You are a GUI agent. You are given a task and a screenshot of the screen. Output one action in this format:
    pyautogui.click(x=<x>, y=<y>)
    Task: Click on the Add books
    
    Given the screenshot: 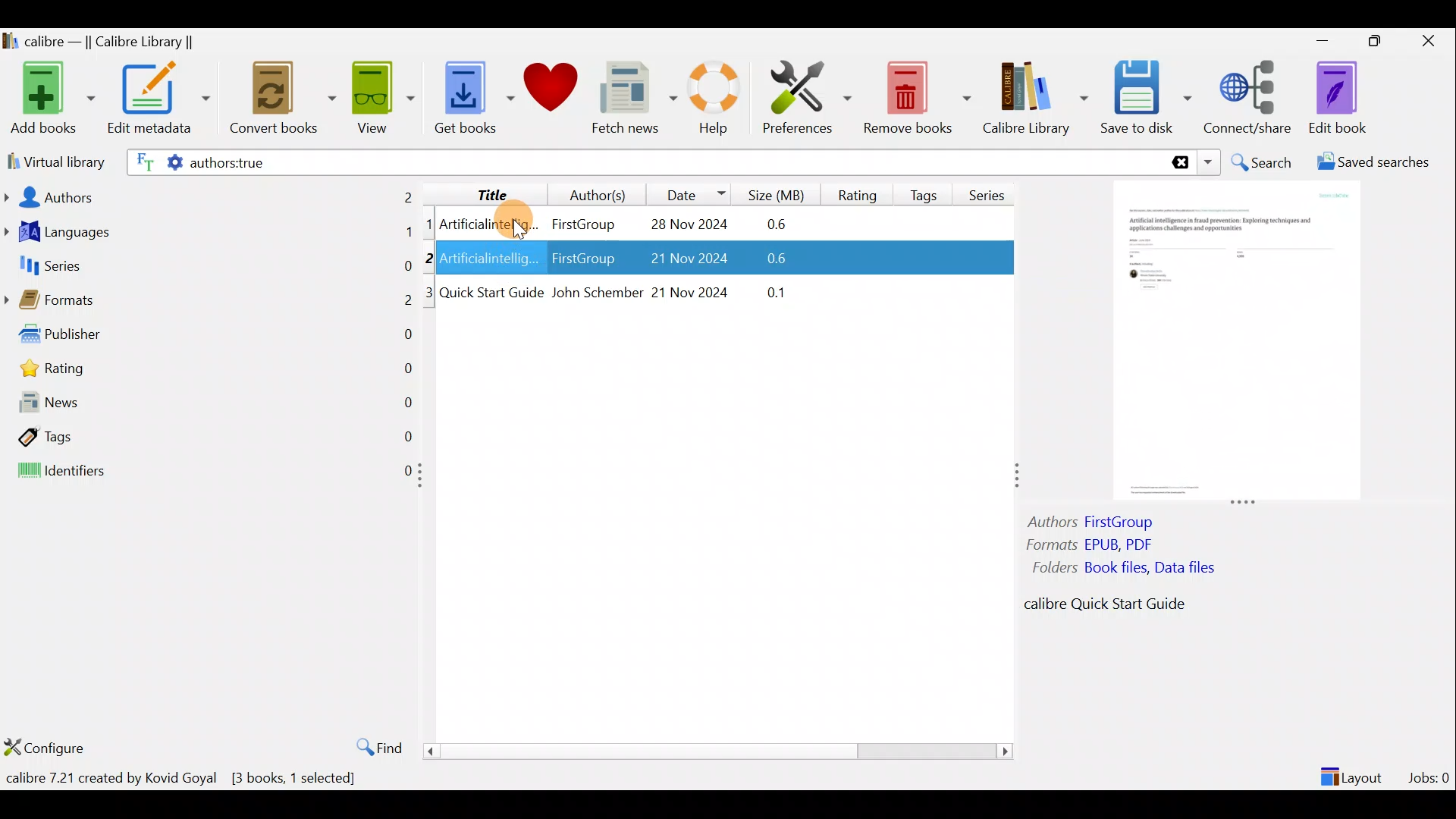 What is the action you would take?
    pyautogui.click(x=50, y=99)
    